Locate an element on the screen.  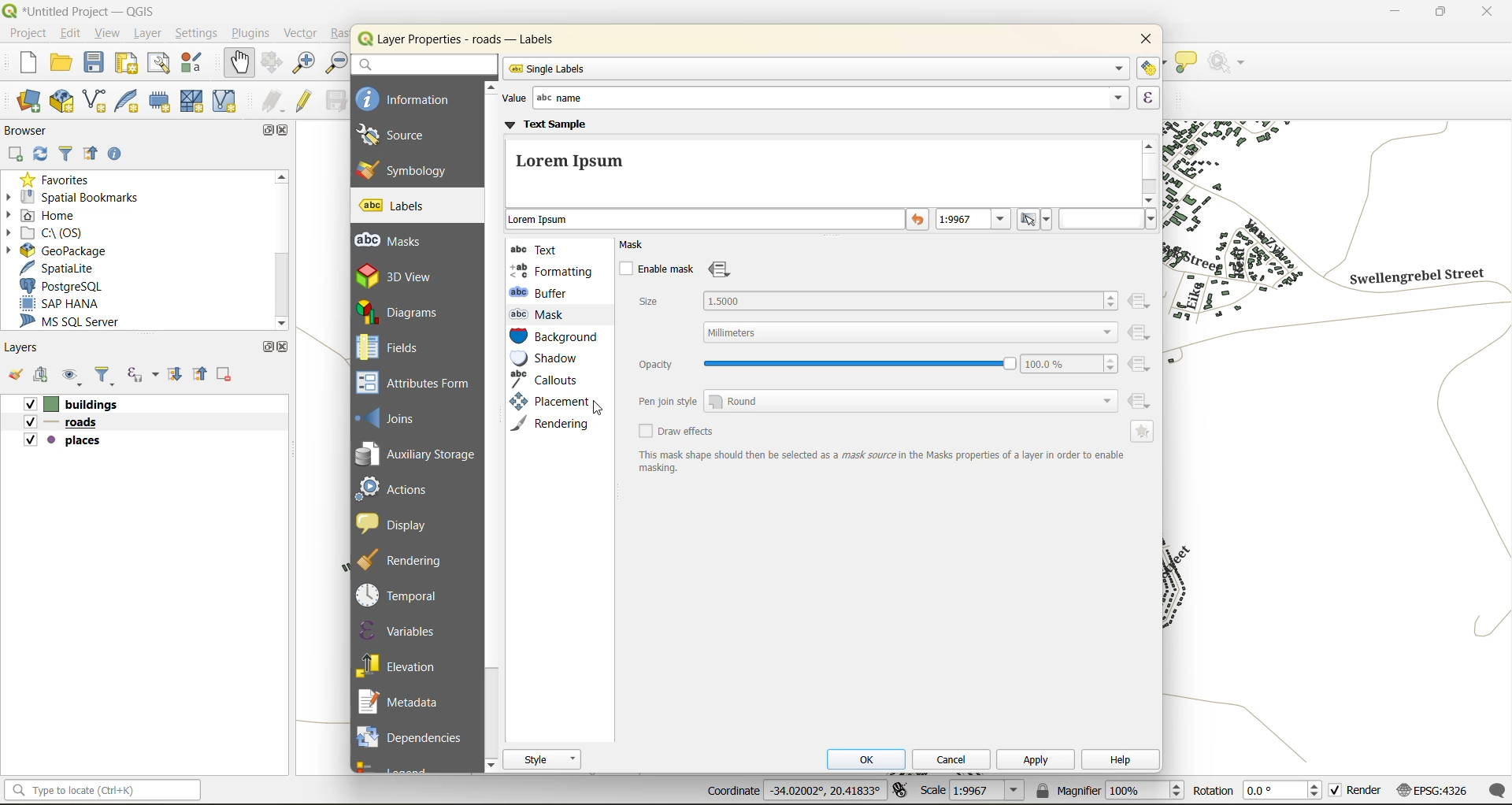
close is located at coordinates (287, 349).